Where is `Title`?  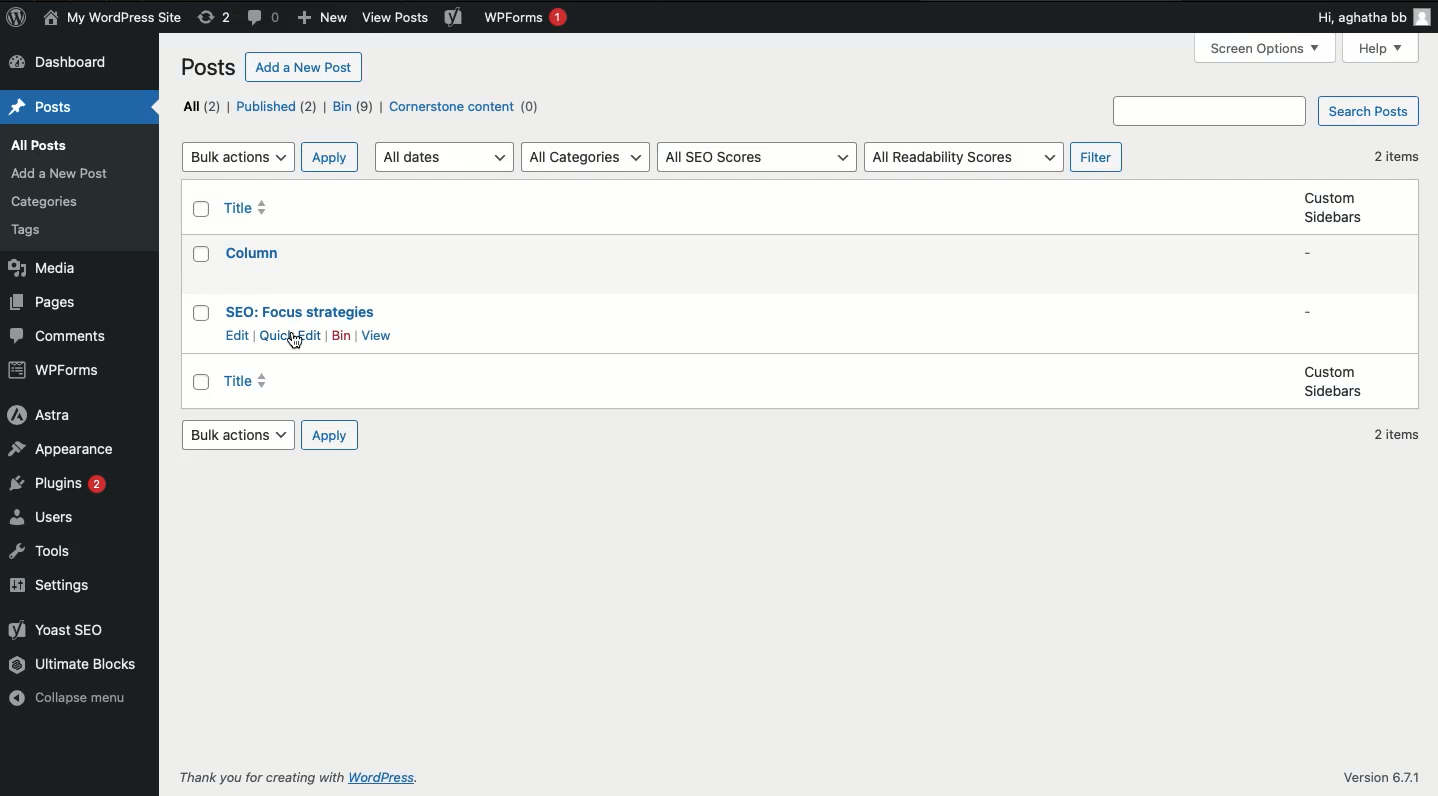 Title is located at coordinates (251, 208).